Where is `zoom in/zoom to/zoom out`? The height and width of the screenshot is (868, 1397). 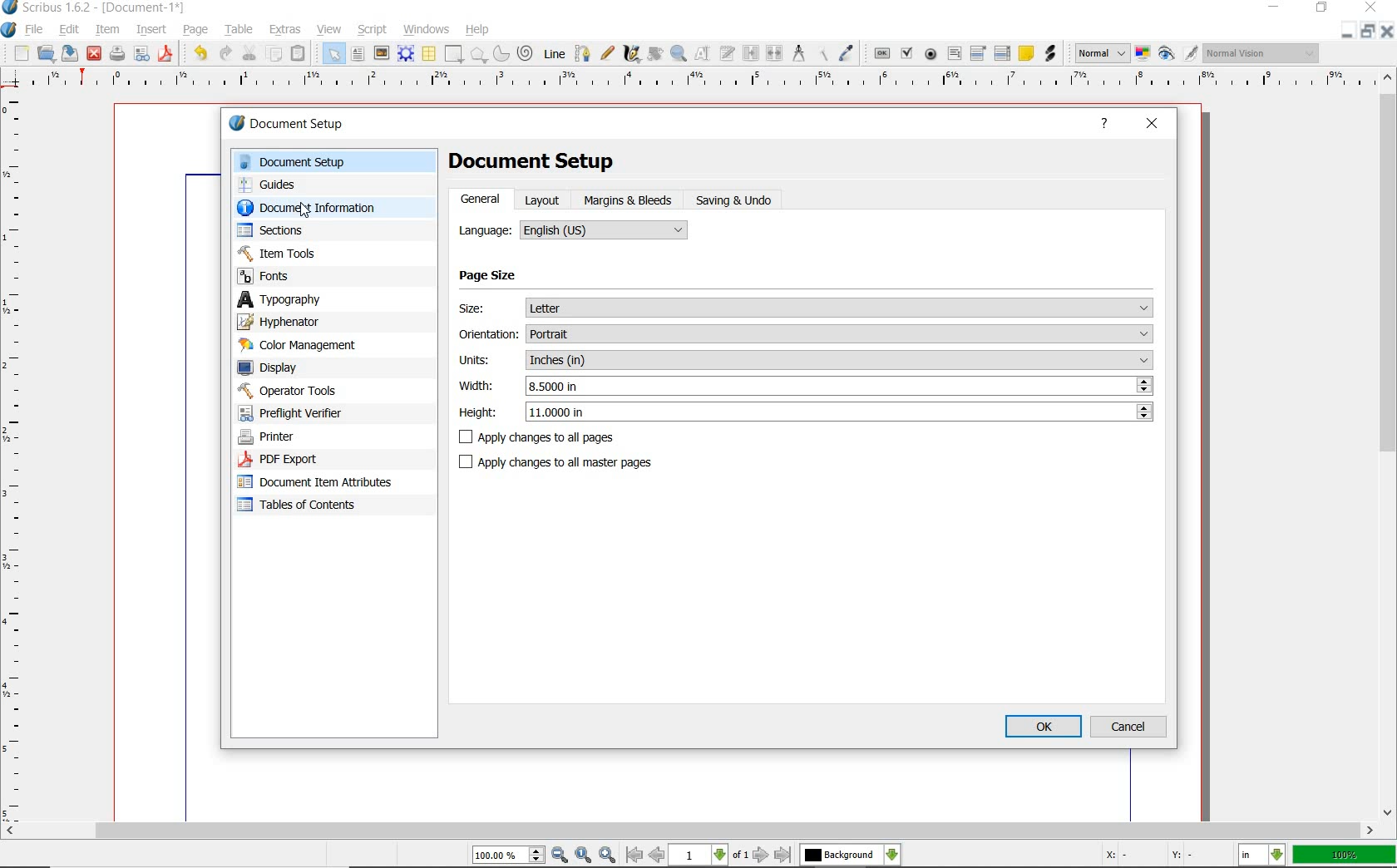 zoom in/zoom to/zoom out is located at coordinates (546, 855).